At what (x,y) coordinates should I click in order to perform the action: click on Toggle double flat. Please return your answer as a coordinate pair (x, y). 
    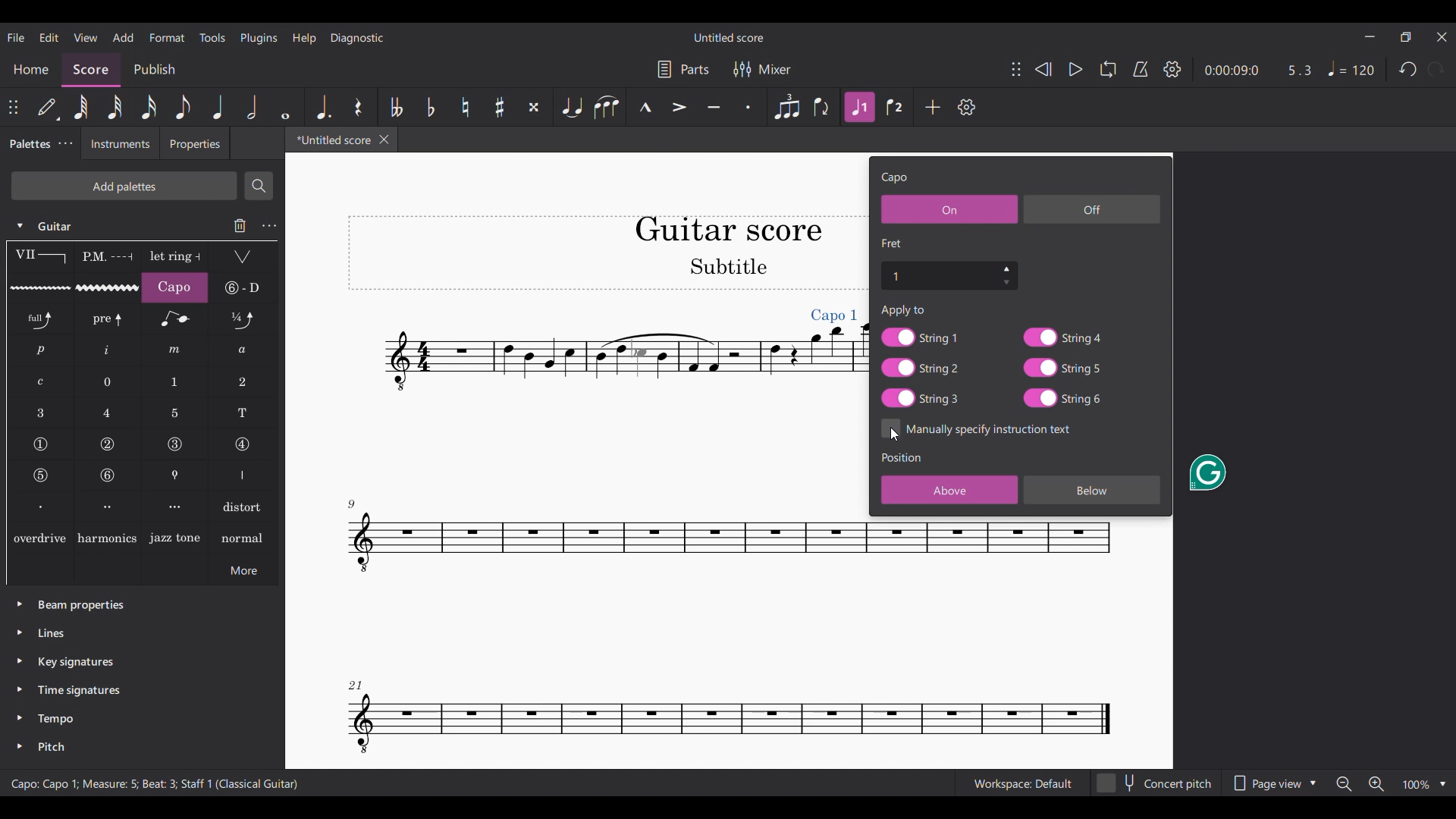
    Looking at the image, I should click on (396, 107).